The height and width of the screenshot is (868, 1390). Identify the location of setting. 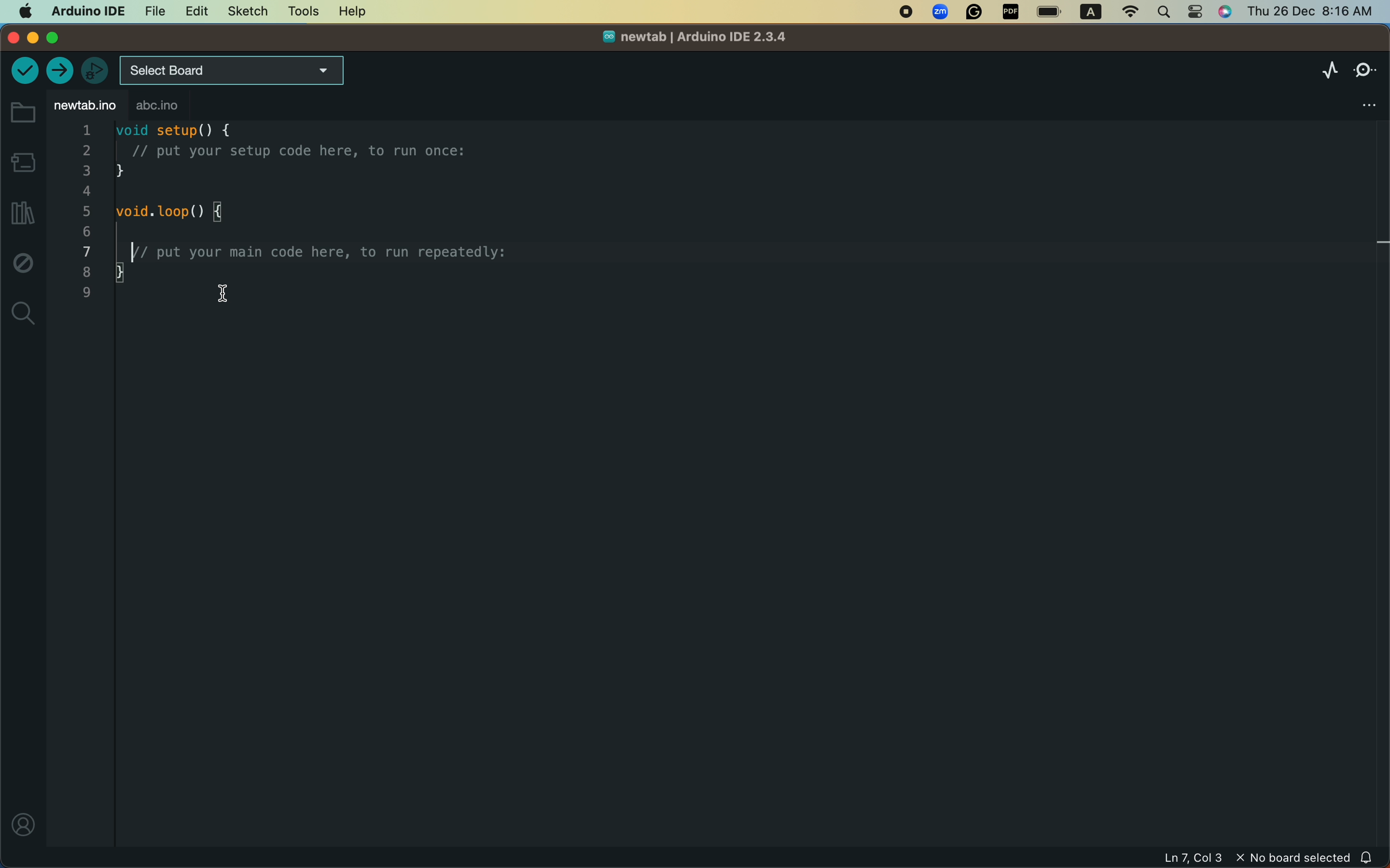
(1196, 12).